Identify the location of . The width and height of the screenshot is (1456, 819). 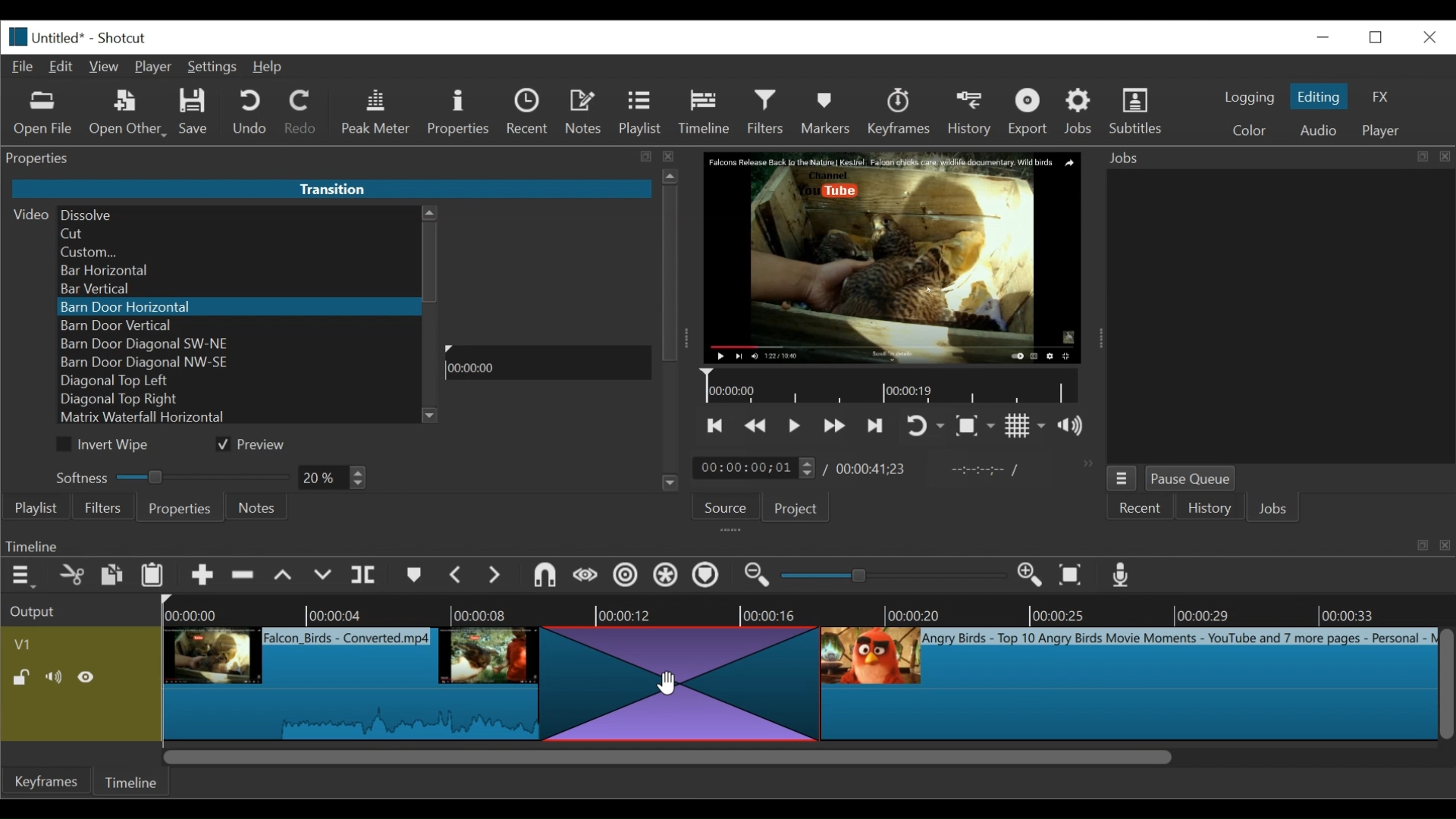
(347, 683).